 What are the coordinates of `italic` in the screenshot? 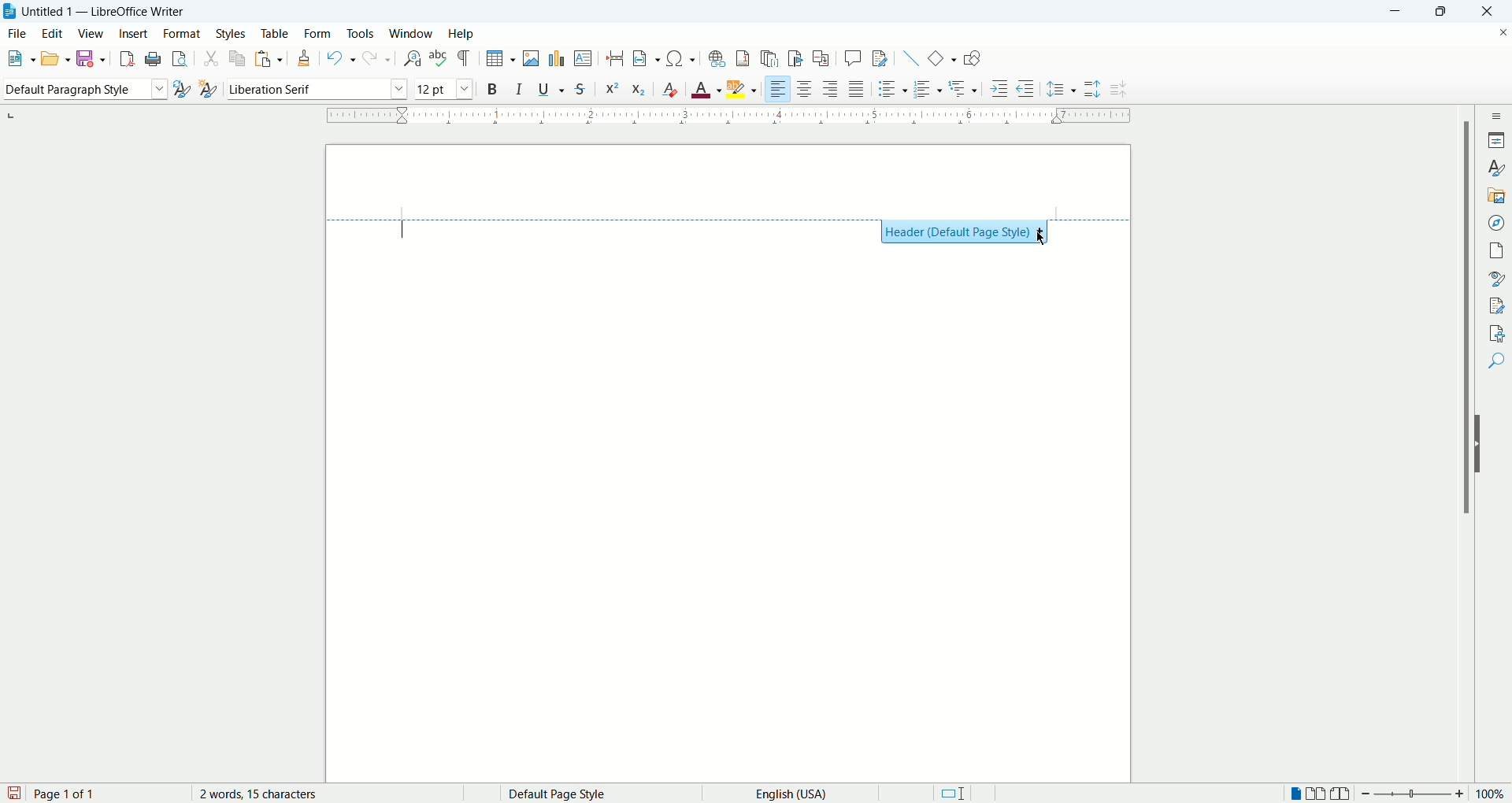 It's located at (516, 90).